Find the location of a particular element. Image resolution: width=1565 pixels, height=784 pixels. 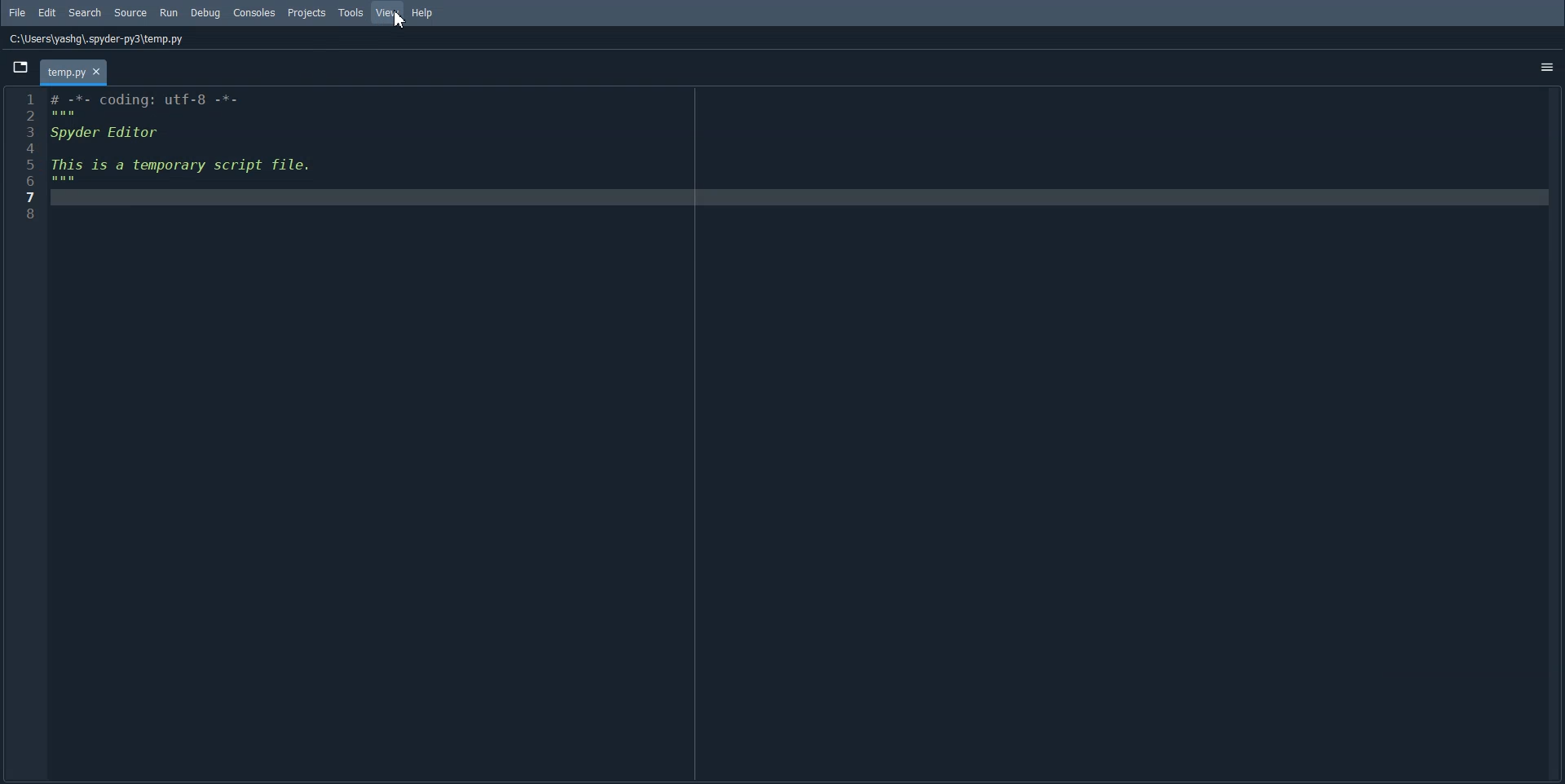

View is located at coordinates (388, 12).